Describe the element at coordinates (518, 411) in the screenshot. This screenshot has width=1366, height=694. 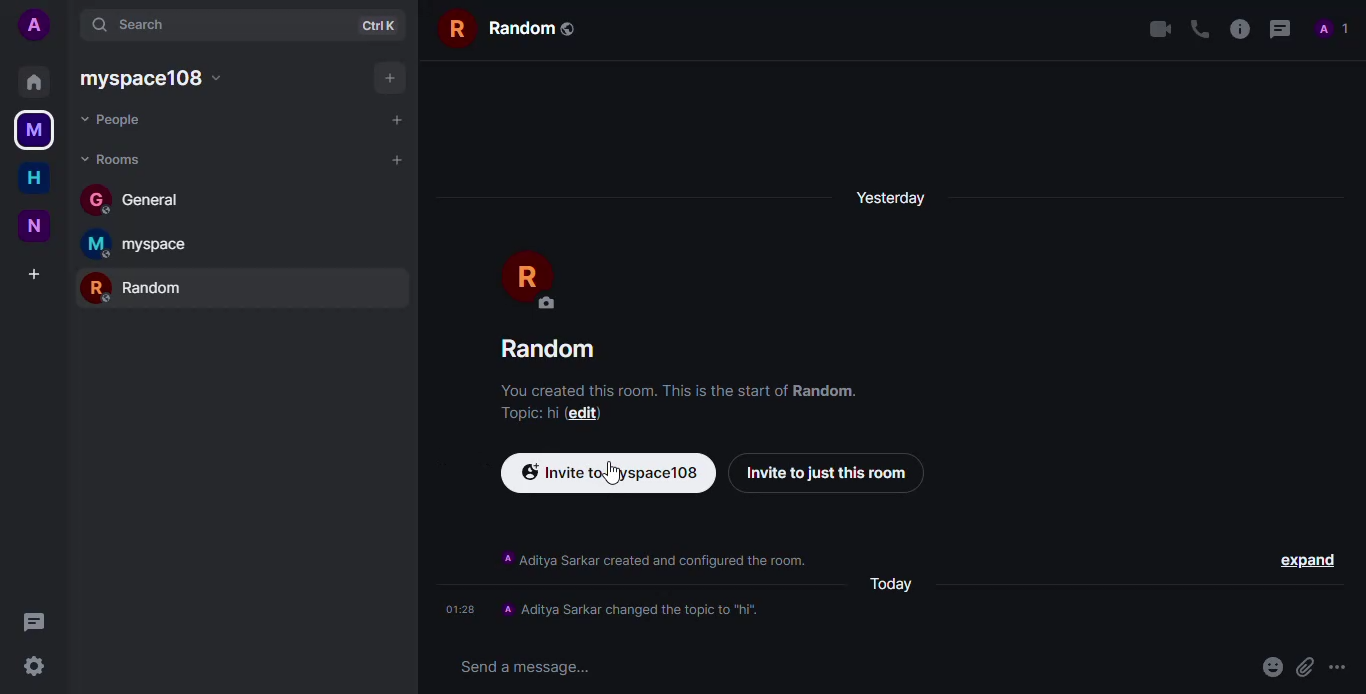
I see `topic` at that location.